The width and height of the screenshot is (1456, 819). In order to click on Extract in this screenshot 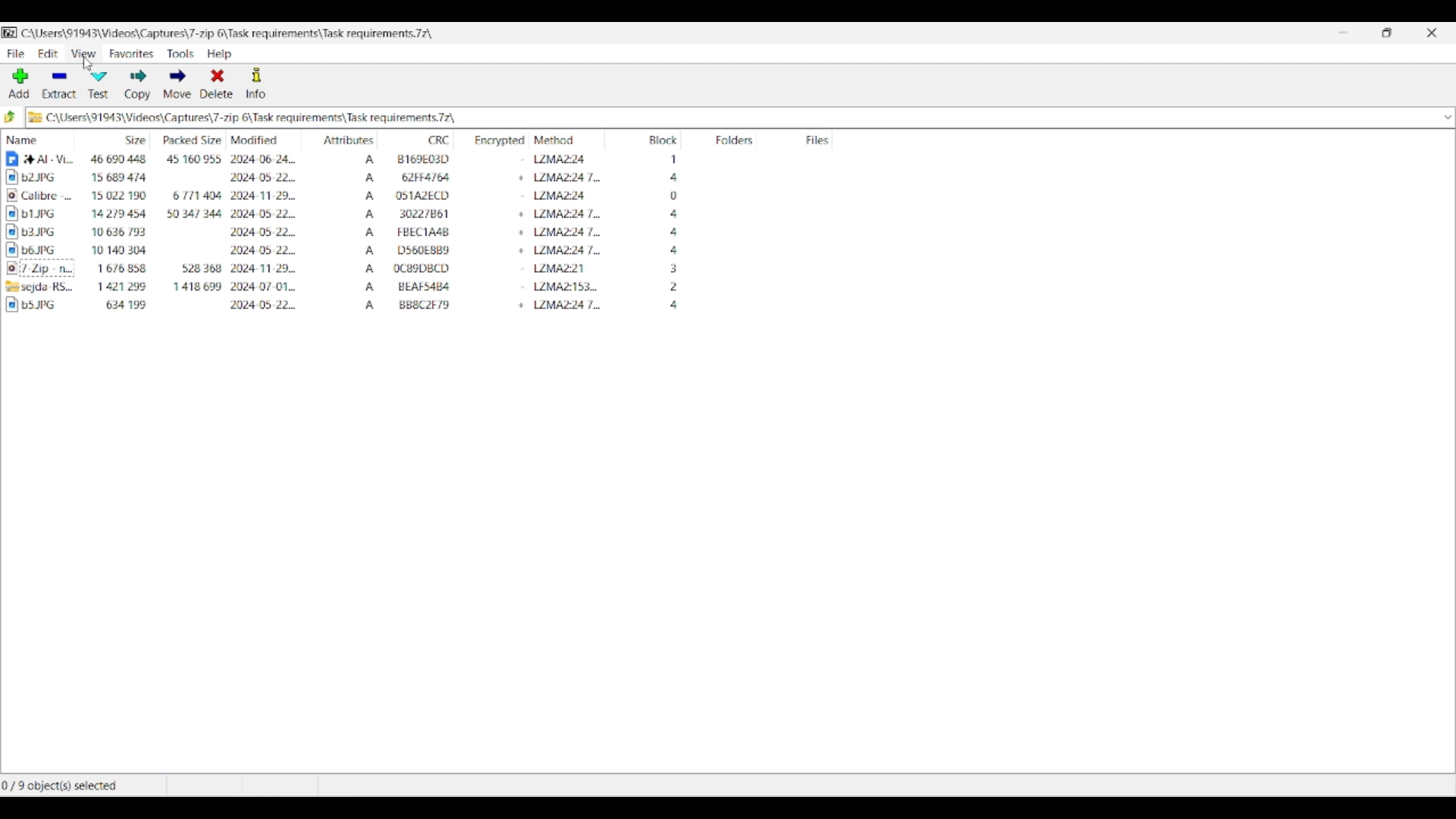, I will do `click(59, 85)`.